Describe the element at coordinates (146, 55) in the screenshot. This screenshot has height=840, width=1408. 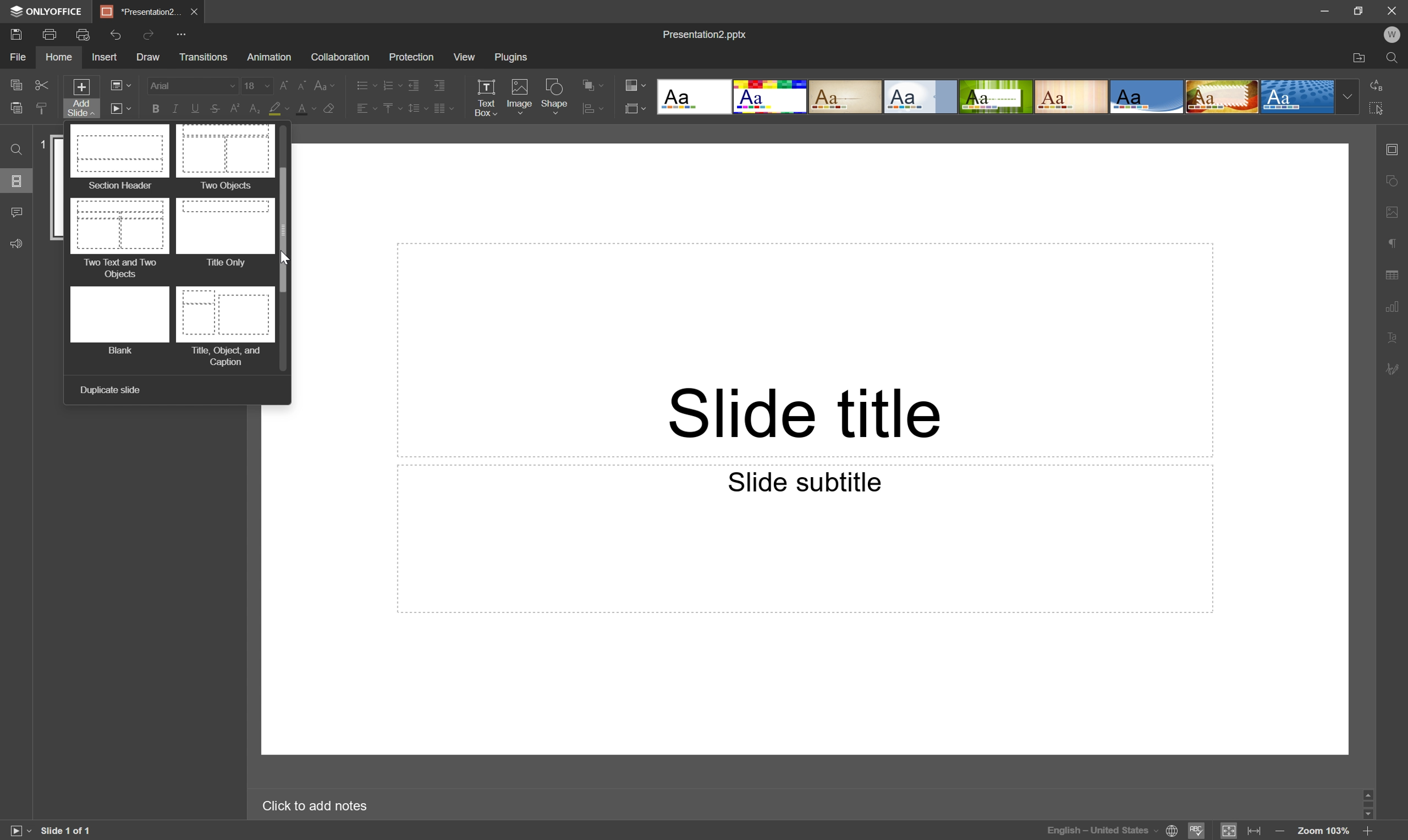
I see `Draw` at that location.